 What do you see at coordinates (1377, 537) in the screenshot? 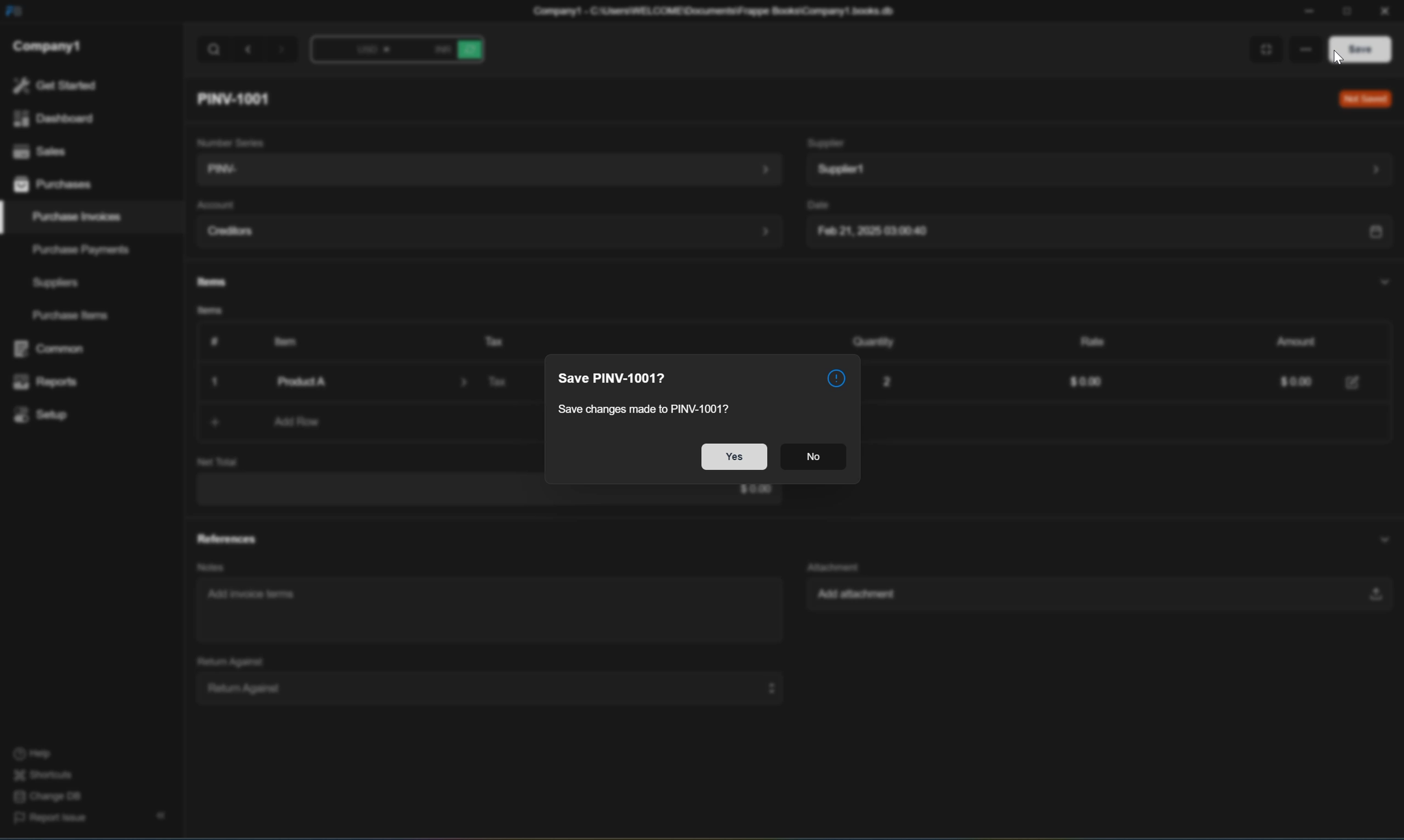
I see `Hide` at bounding box center [1377, 537].